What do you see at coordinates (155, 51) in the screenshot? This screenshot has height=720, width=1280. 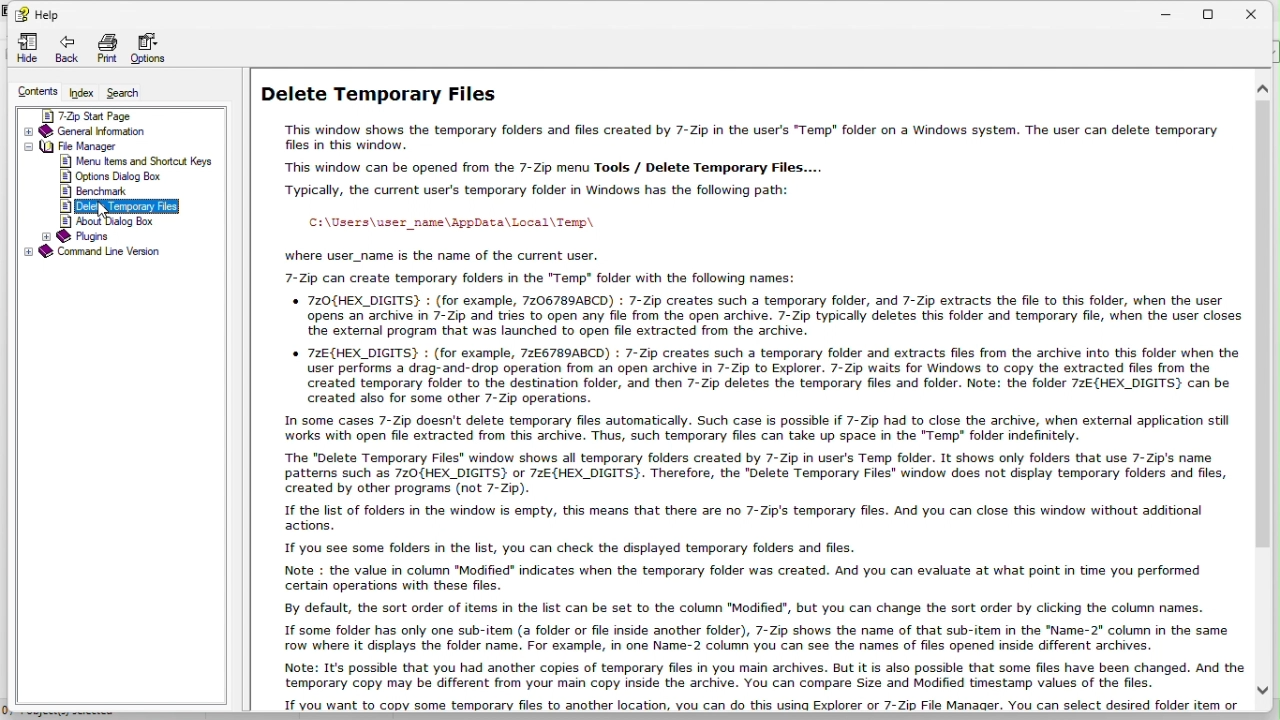 I see `options` at bounding box center [155, 51].